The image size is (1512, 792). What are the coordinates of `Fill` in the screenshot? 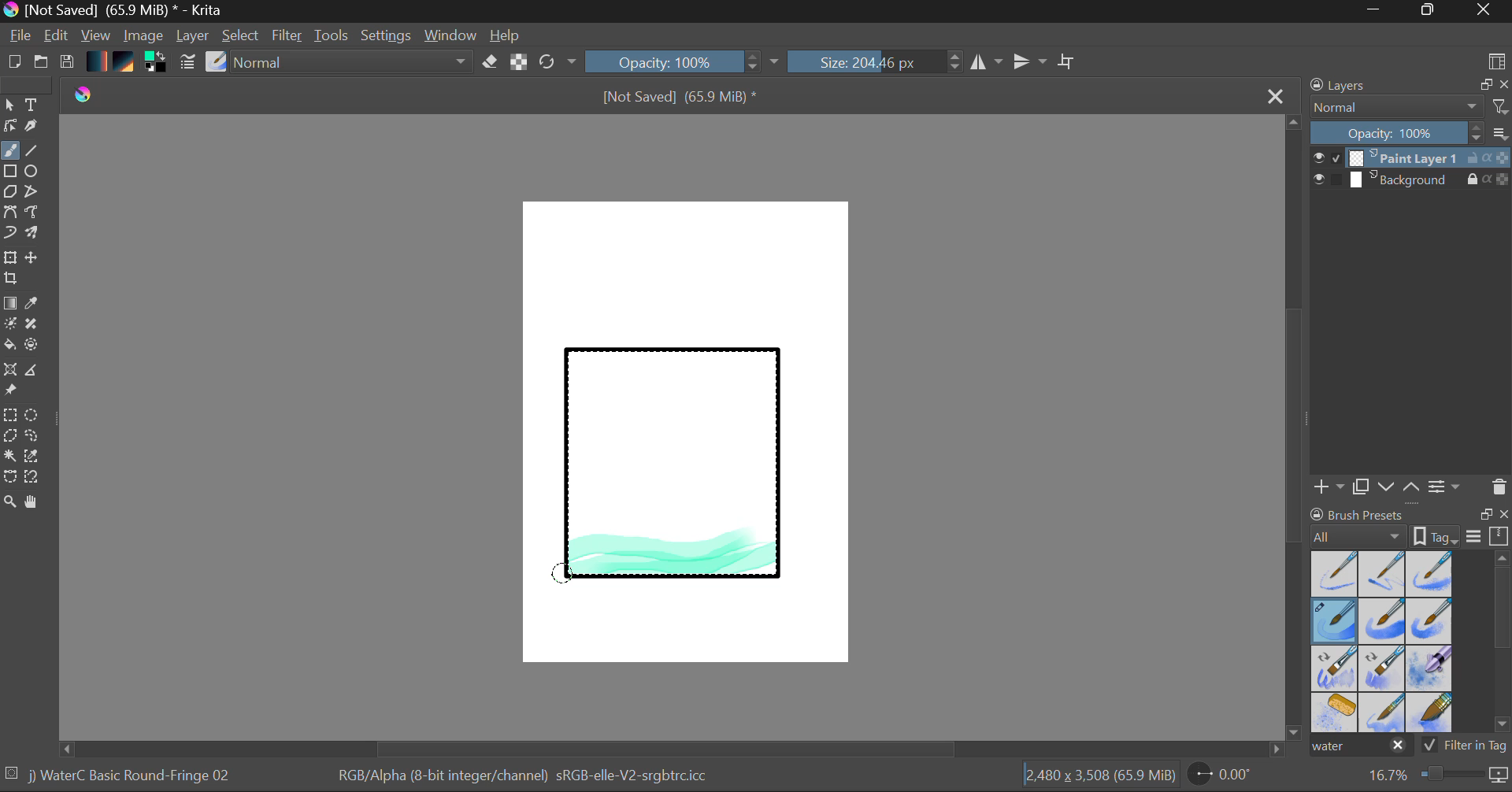 It's located at (9, 347).